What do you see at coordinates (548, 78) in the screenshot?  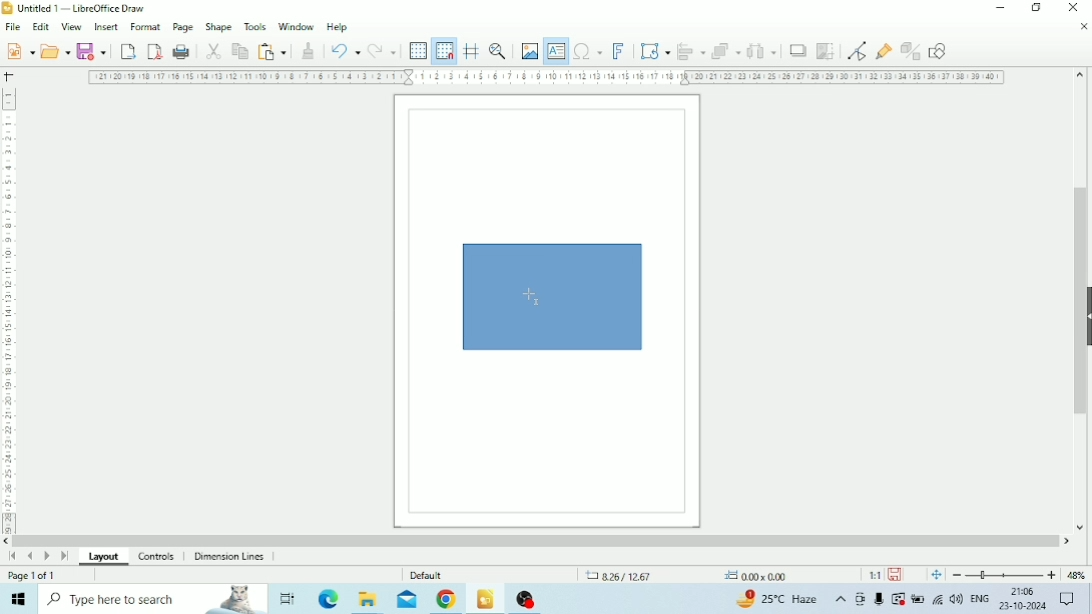 I see `Horizontal scale` at bounding box center [548, 78].